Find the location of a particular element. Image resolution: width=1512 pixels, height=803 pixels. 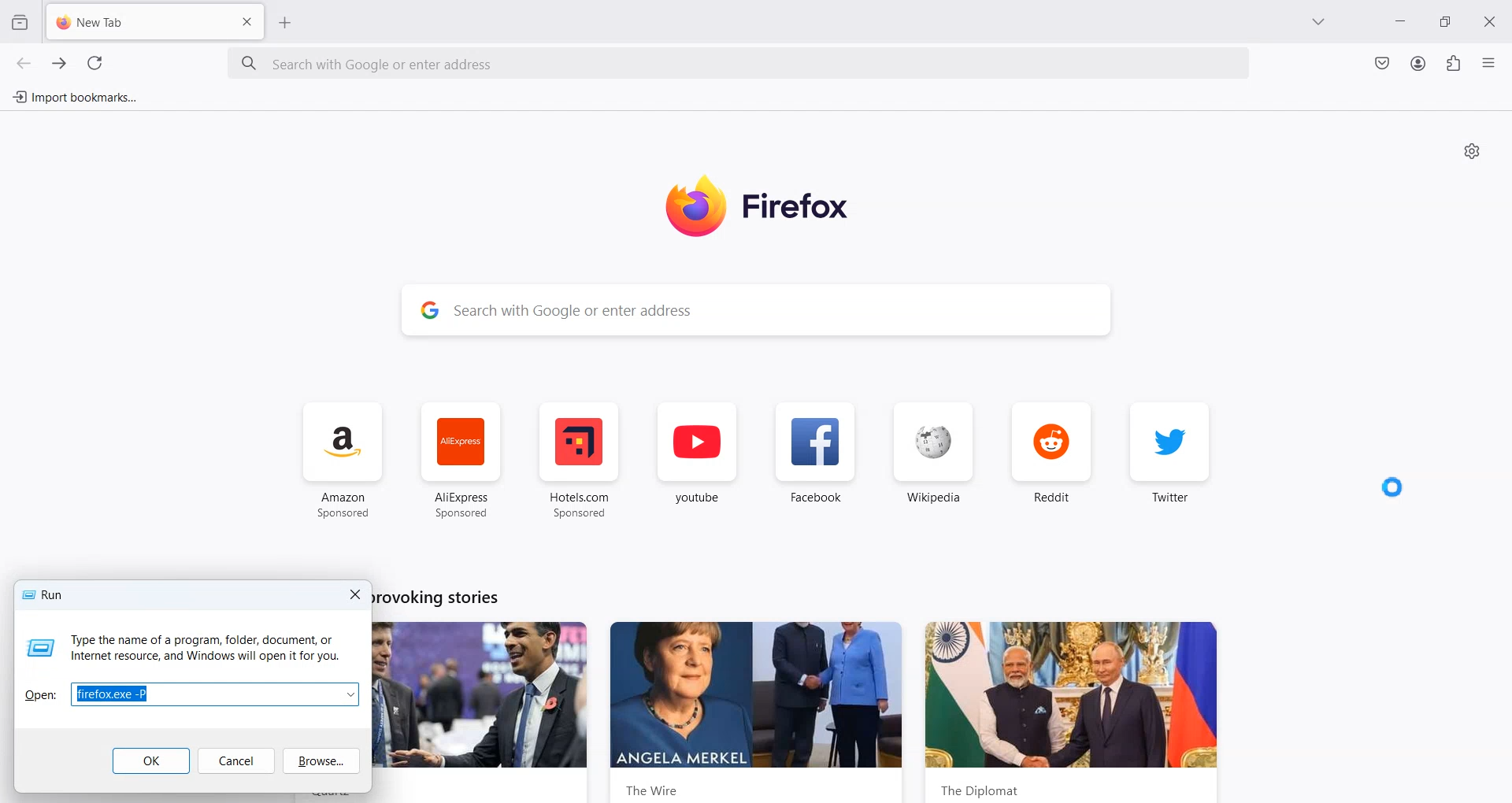

View Recent browsing is located at coordinates (20, 21).